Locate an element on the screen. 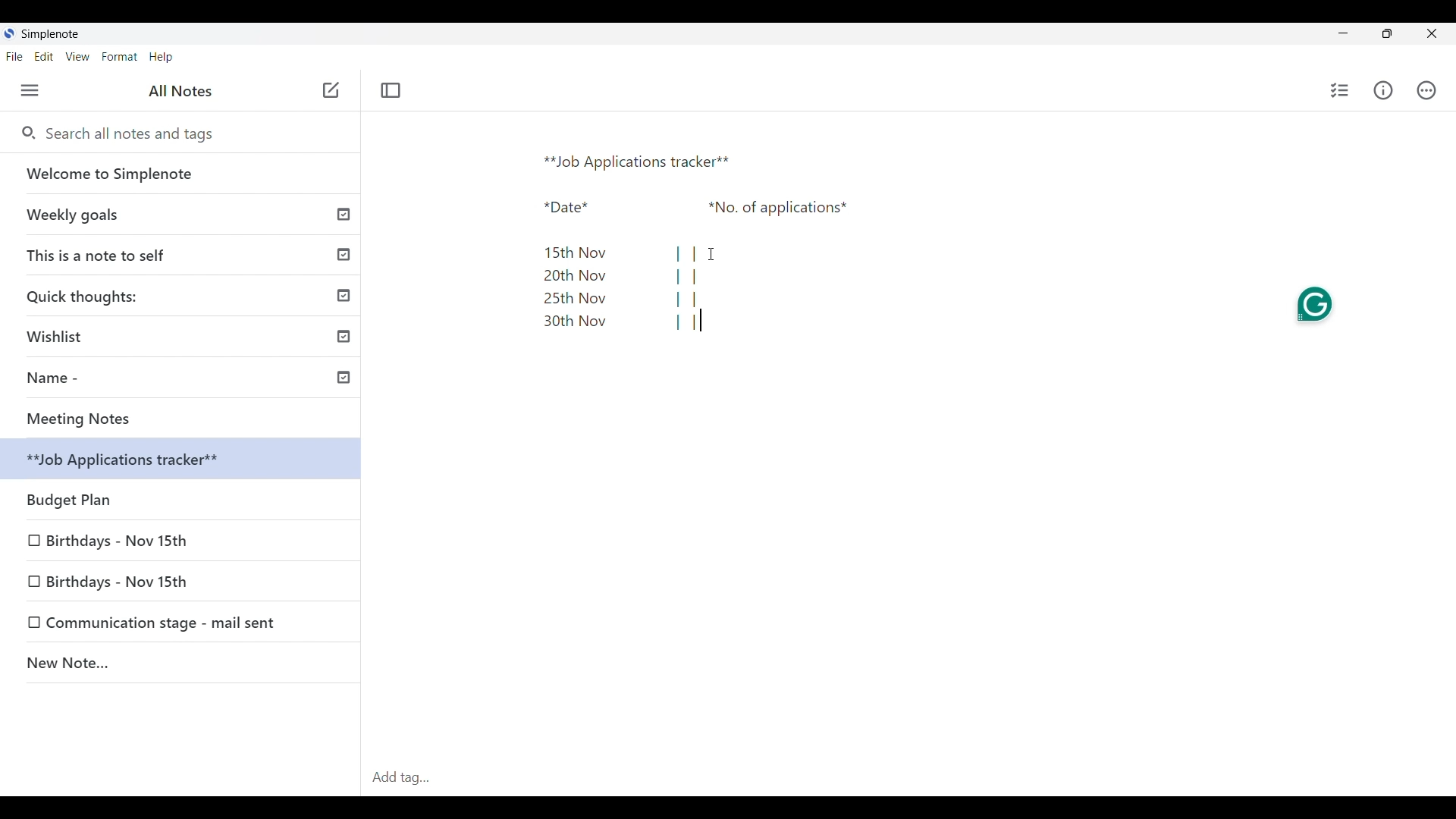  Meeting Notes is located at coordinates (186, 419).